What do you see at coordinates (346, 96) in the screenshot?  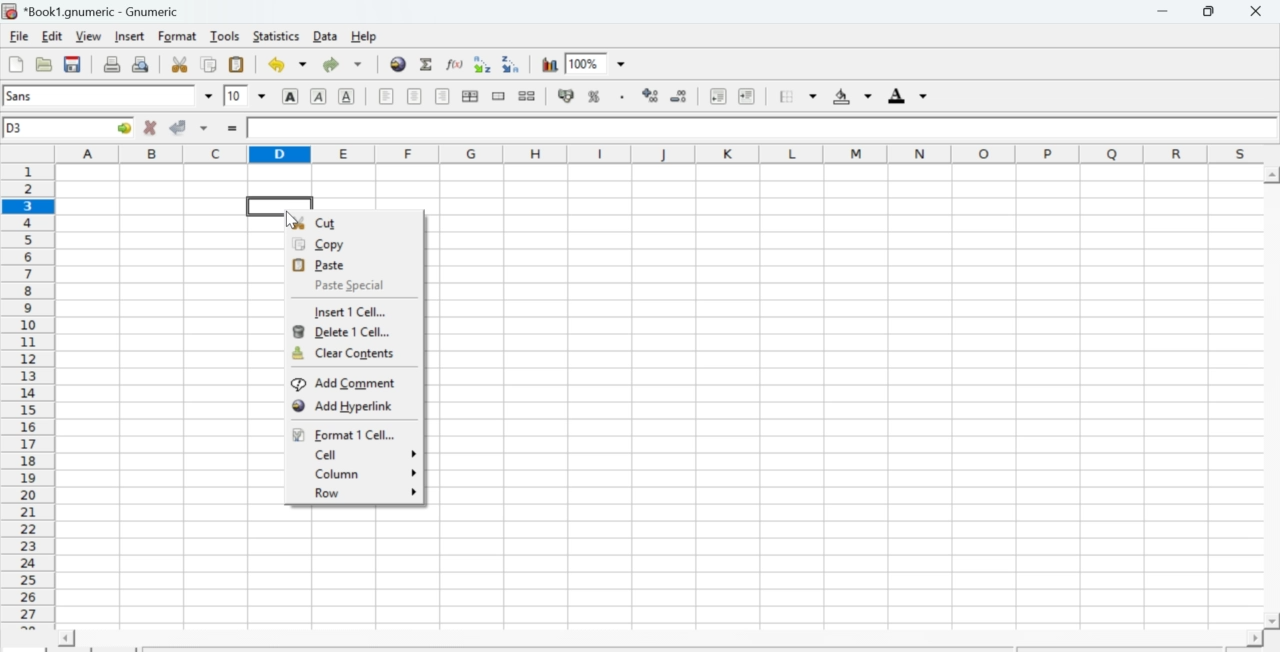 I see `Underground` at bounding box center [346, 96].